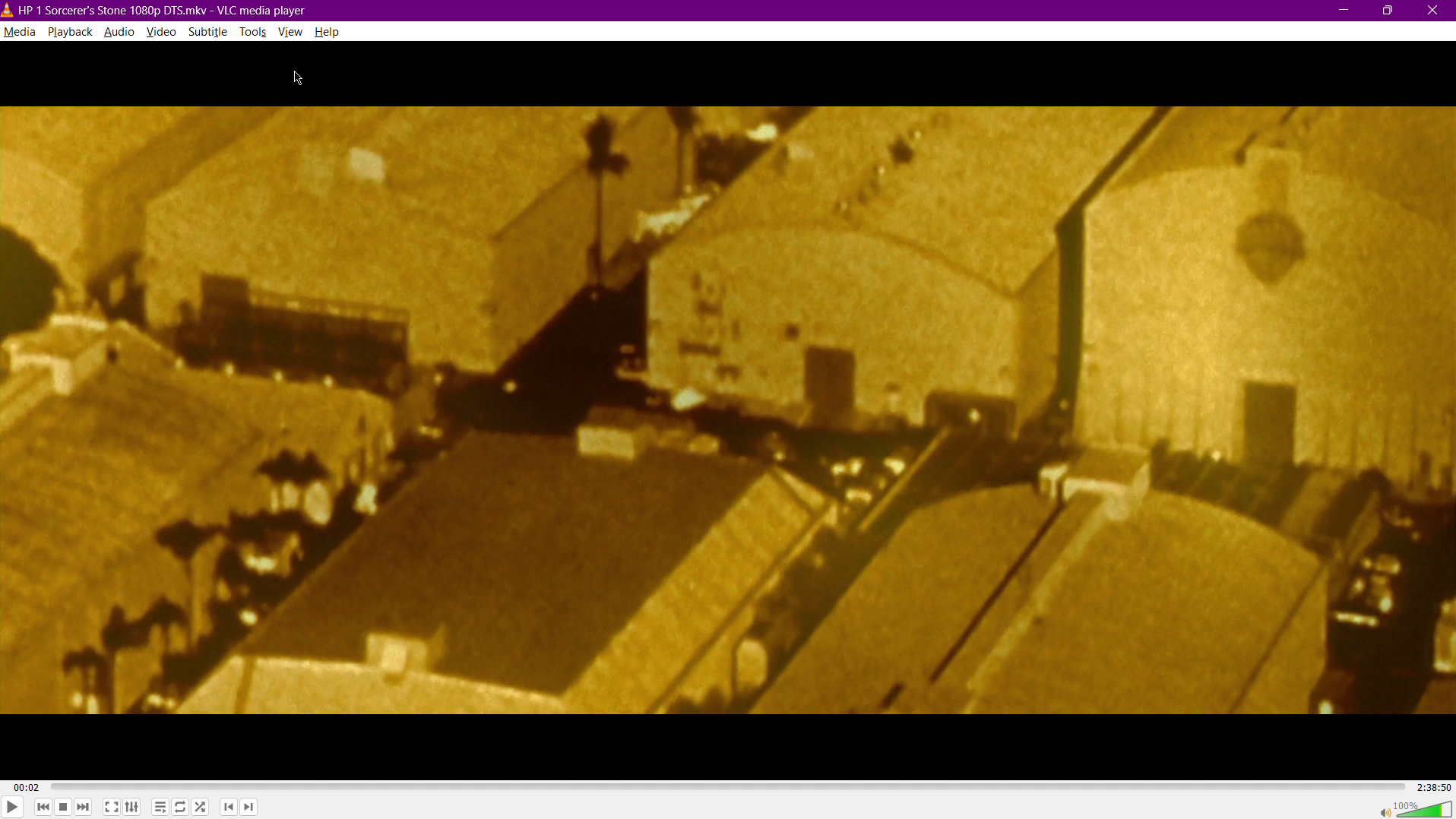 This screenshot has height=819, width=1456. What do you see at coordinates (229, 809) in the screenshot?
I see `Last Chapter` at bounding box center [229, 809].